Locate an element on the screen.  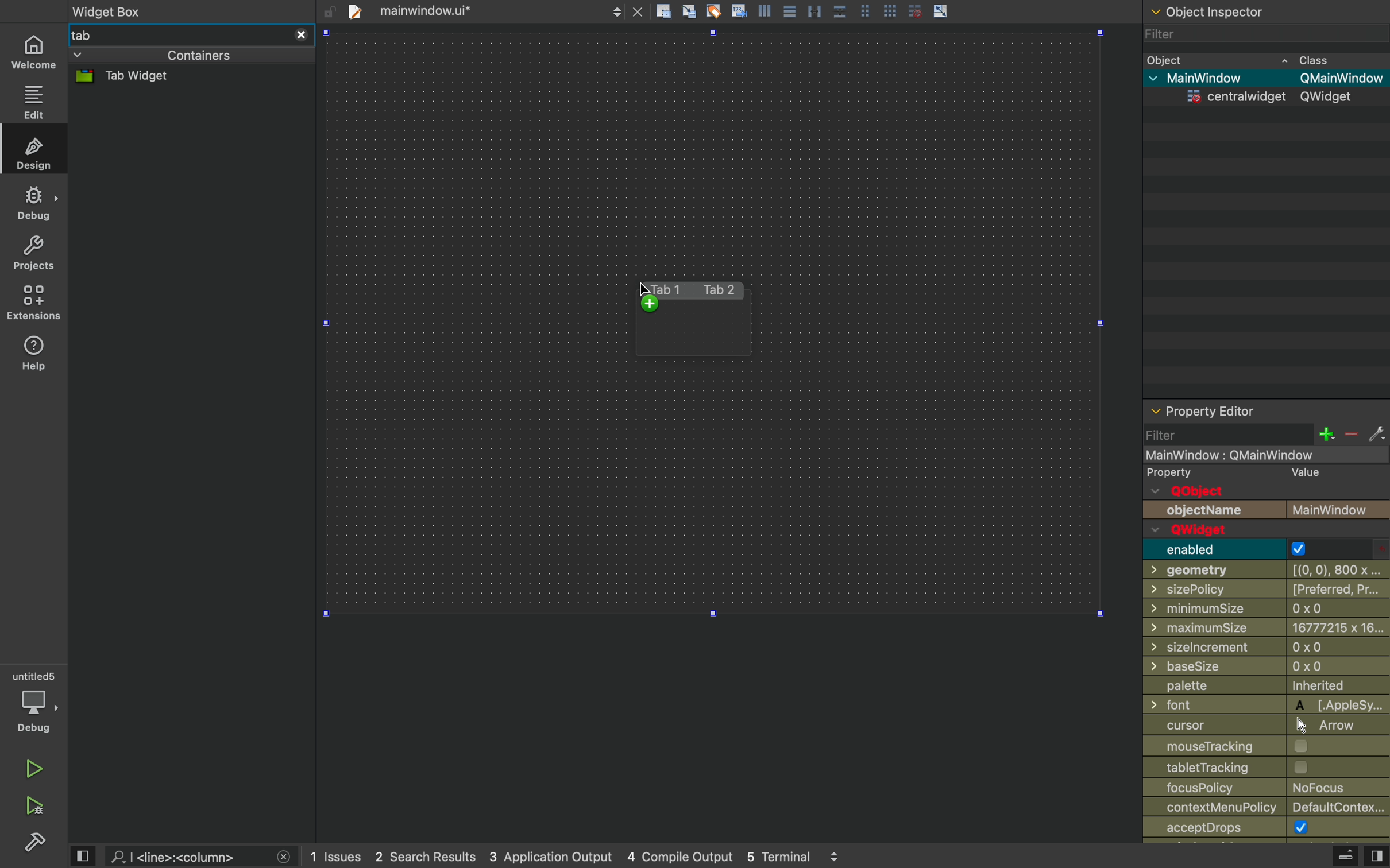
next/back is located at coordinates (616, 11).